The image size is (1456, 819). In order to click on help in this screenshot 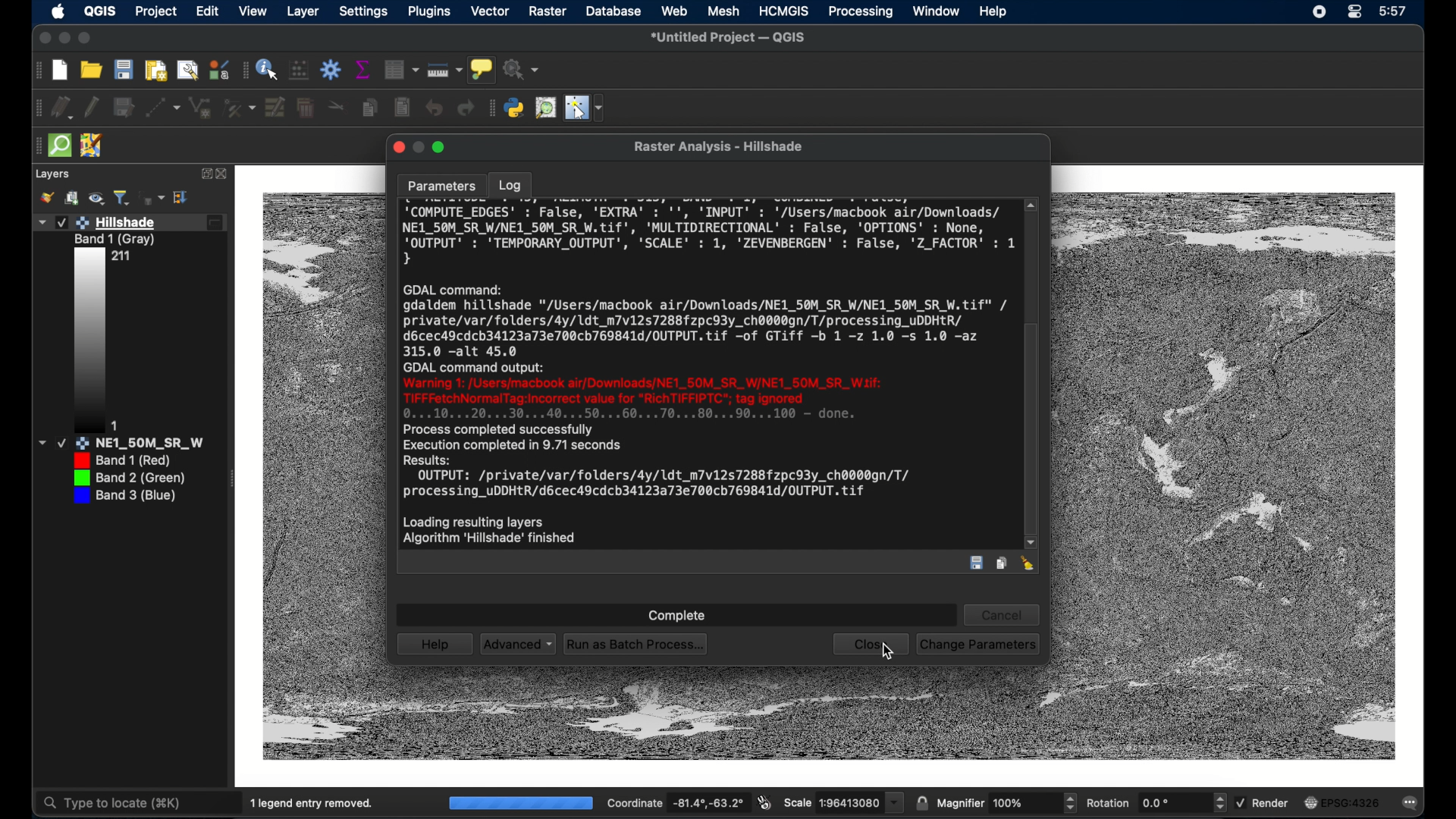, I will do `click(435, 644)`.